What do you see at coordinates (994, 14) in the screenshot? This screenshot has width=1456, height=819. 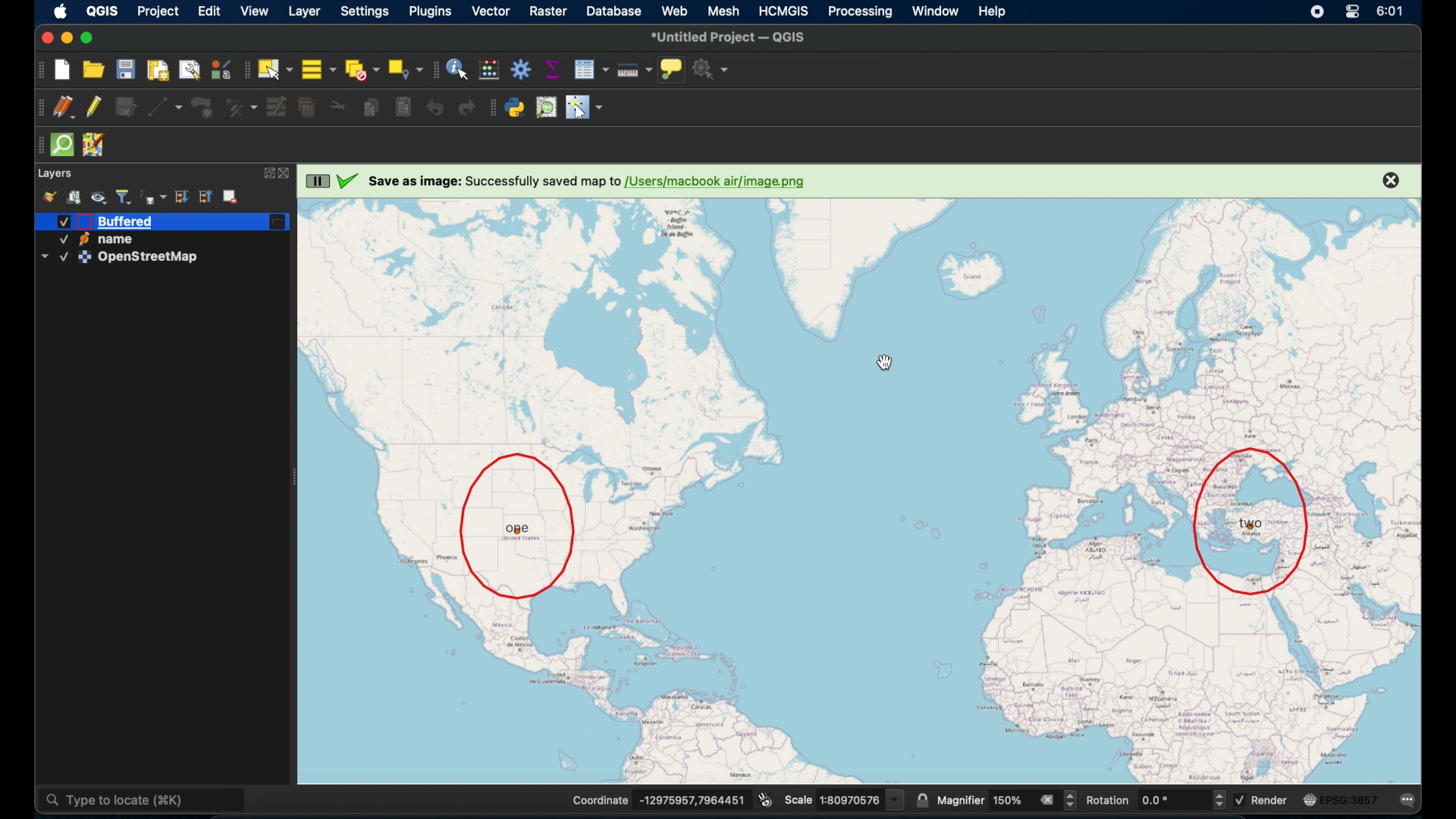 I see `help` at bounding box center [994, 14].